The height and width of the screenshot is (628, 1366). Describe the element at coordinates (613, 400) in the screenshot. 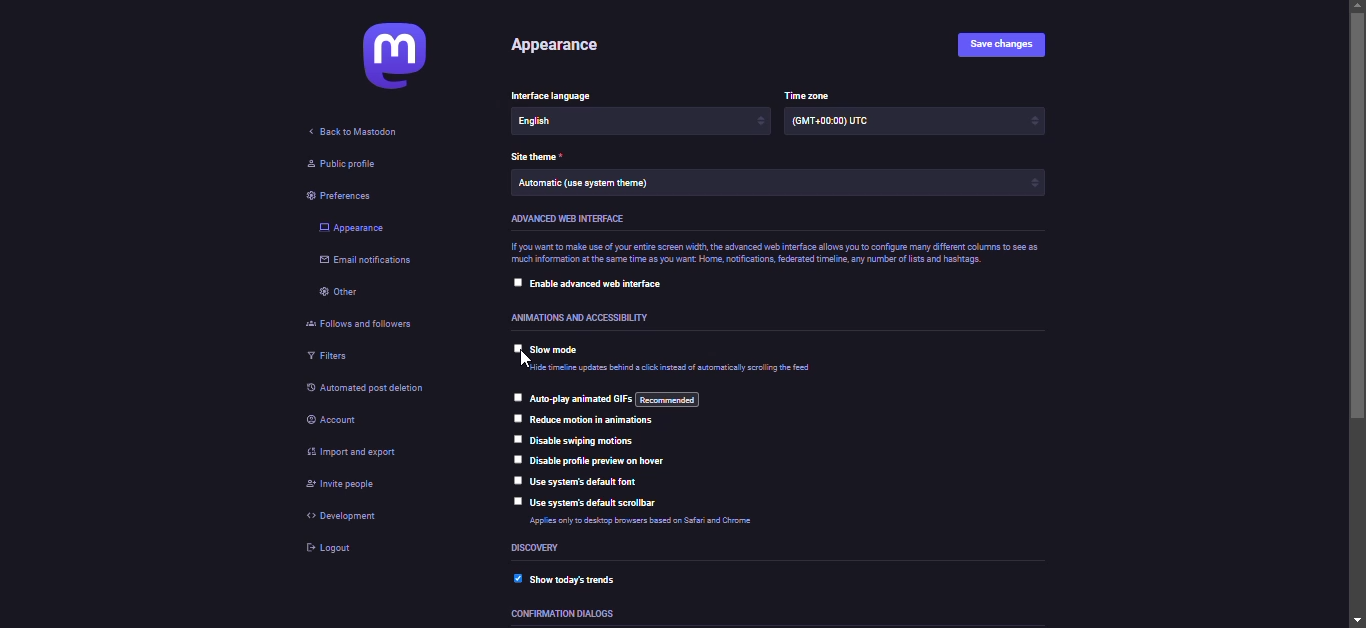

I see `auto-play animated GIFs: recommended` at that location.